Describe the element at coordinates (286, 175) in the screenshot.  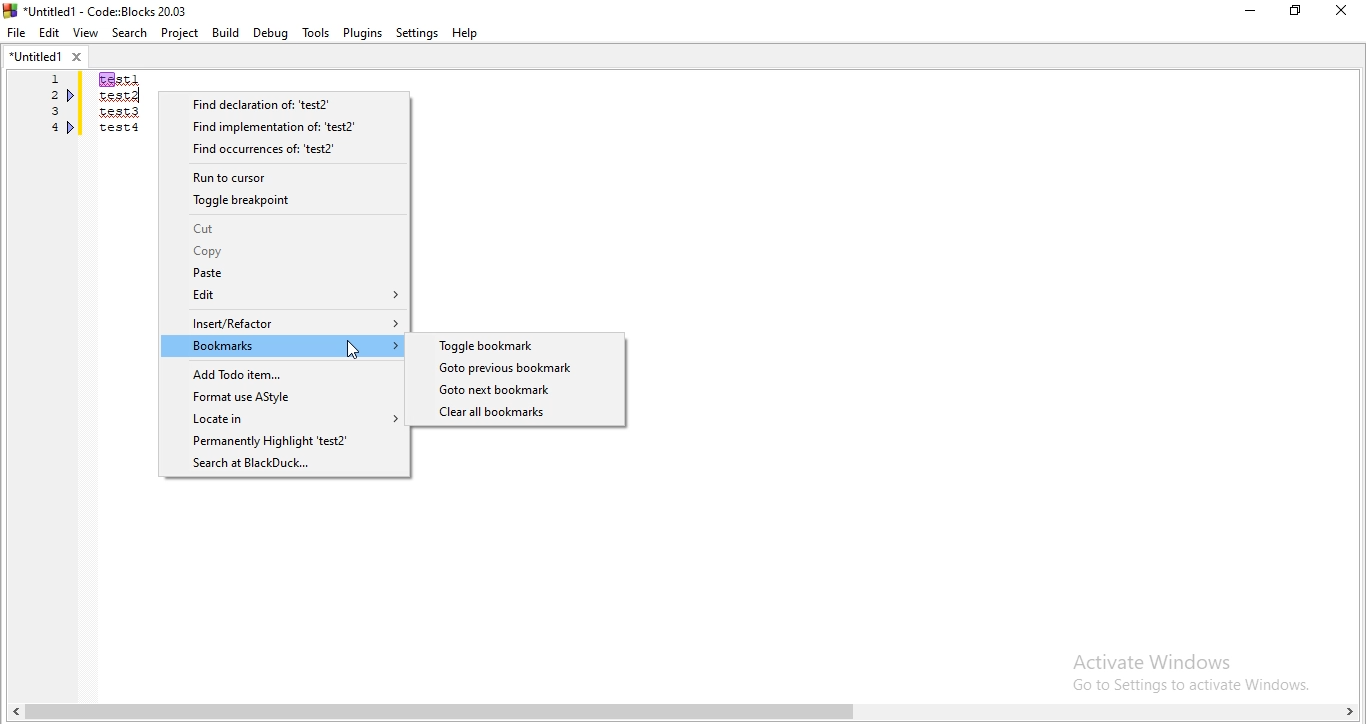
I see `Run to cursor` at that location.